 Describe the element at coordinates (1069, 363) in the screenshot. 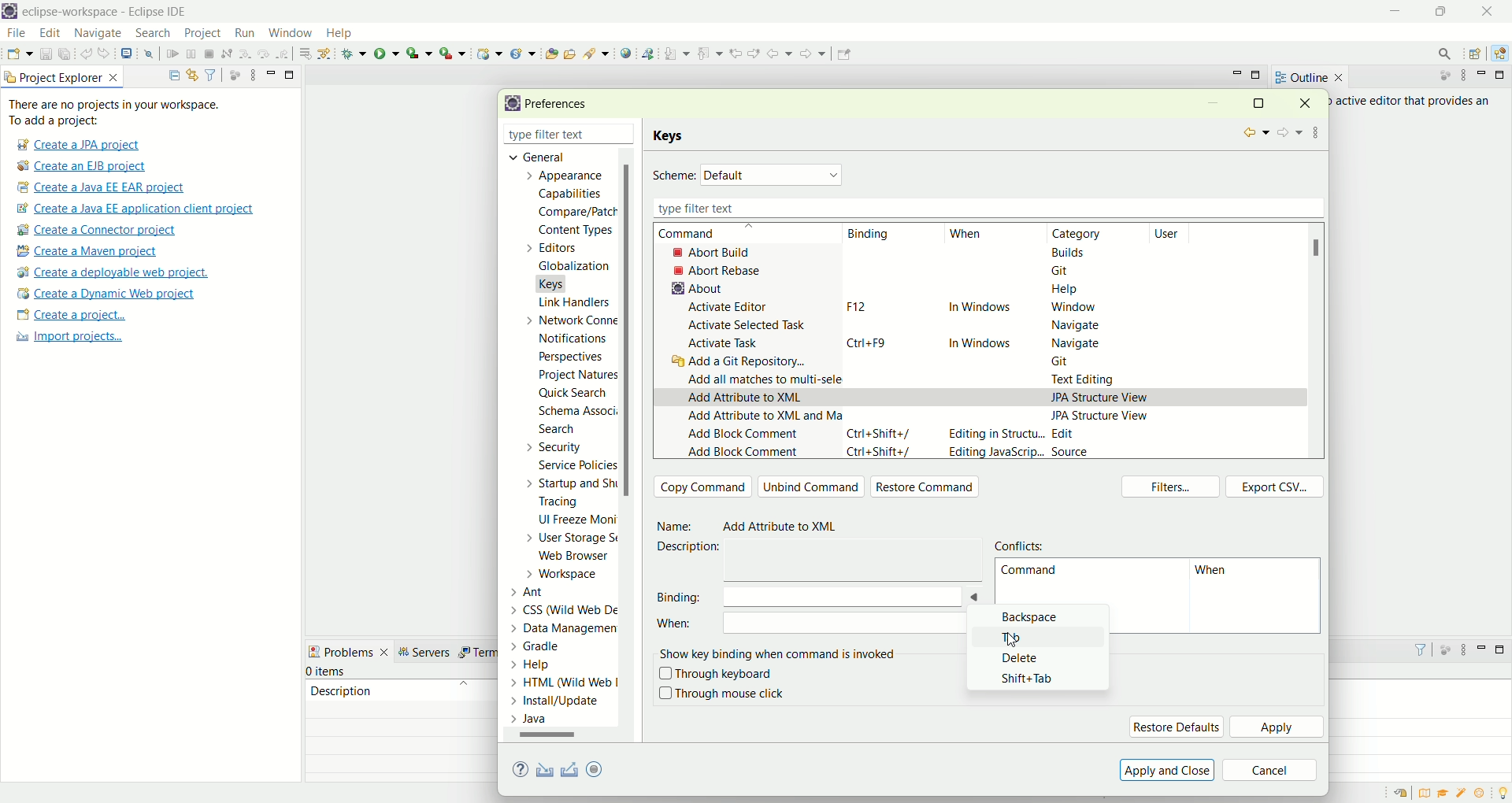

I see `Git` at that location.